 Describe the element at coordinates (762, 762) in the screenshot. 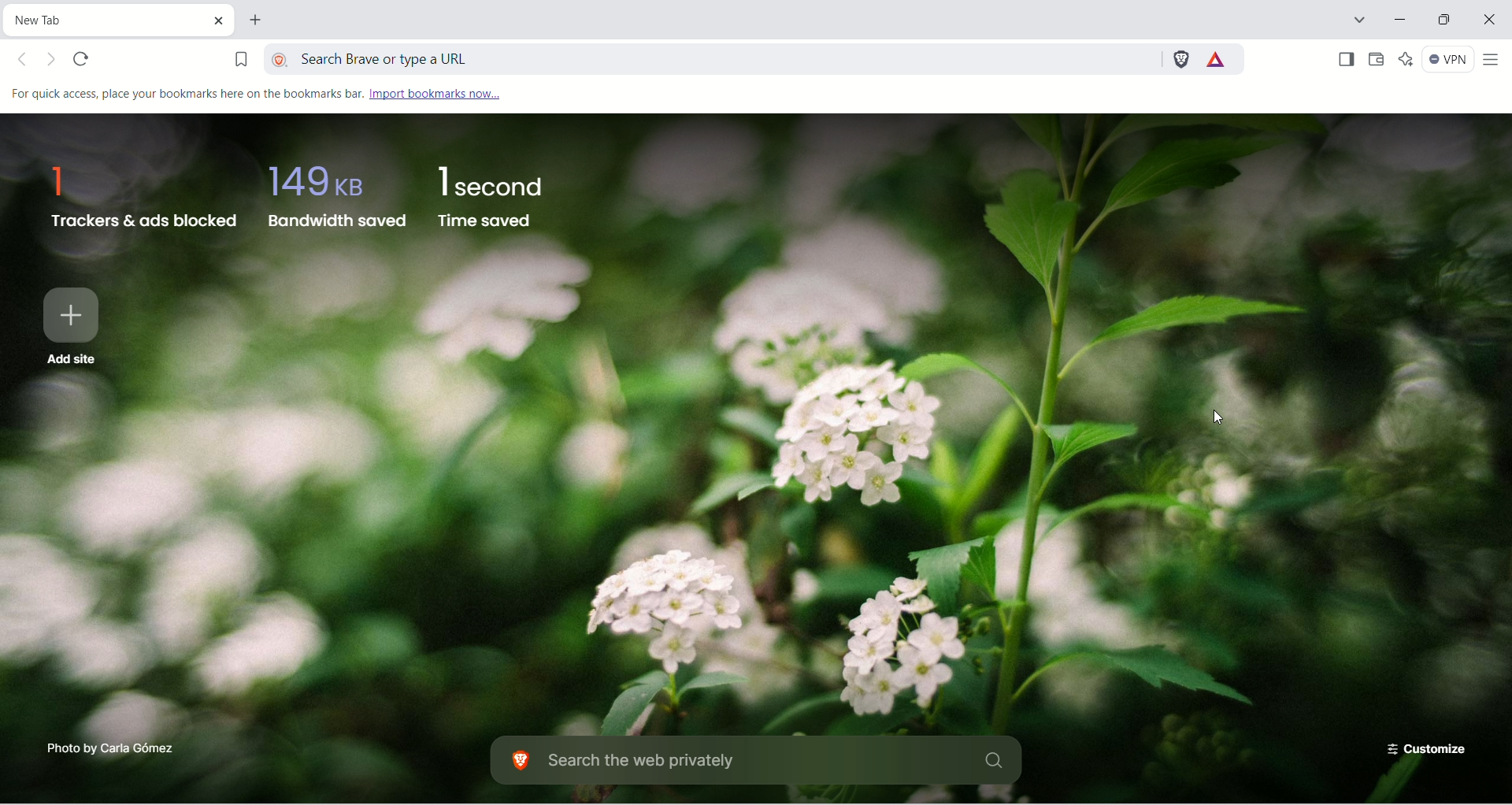

I see `search the web privately` at that location.